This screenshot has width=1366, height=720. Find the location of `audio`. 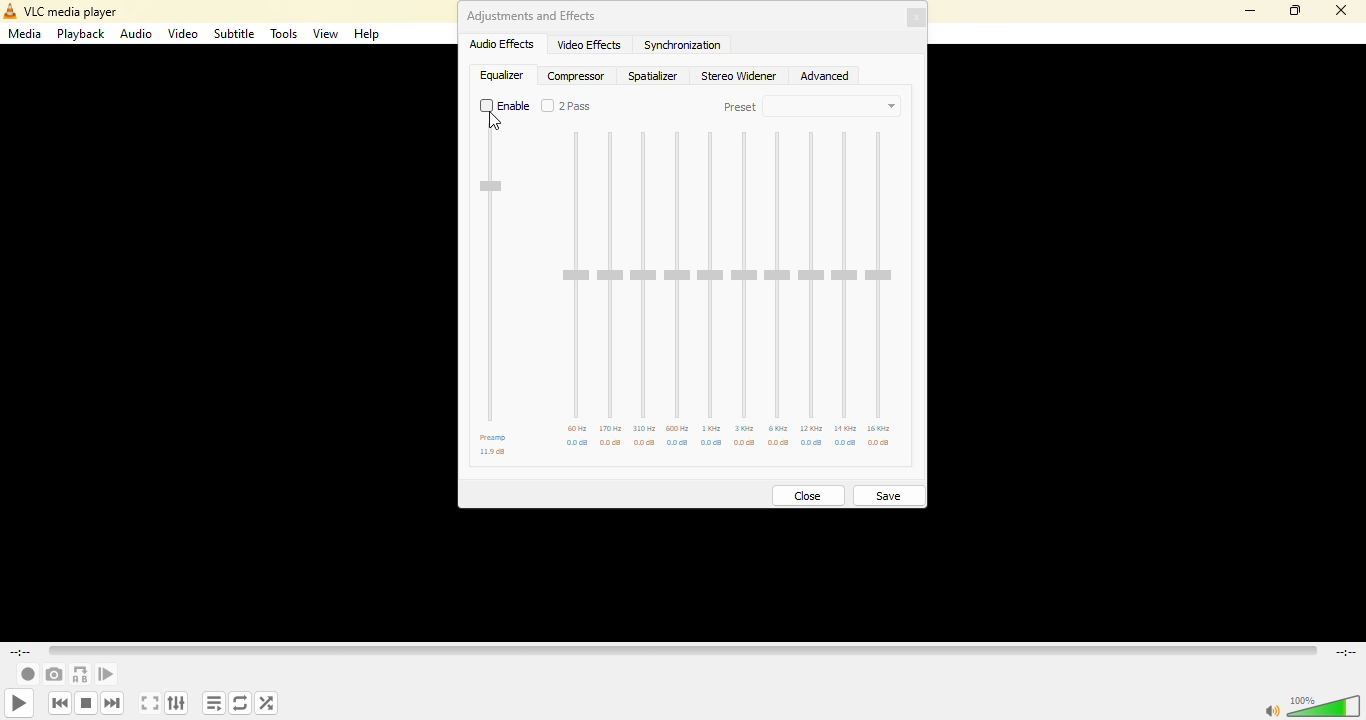

audio is located at coordinates (136, 36).